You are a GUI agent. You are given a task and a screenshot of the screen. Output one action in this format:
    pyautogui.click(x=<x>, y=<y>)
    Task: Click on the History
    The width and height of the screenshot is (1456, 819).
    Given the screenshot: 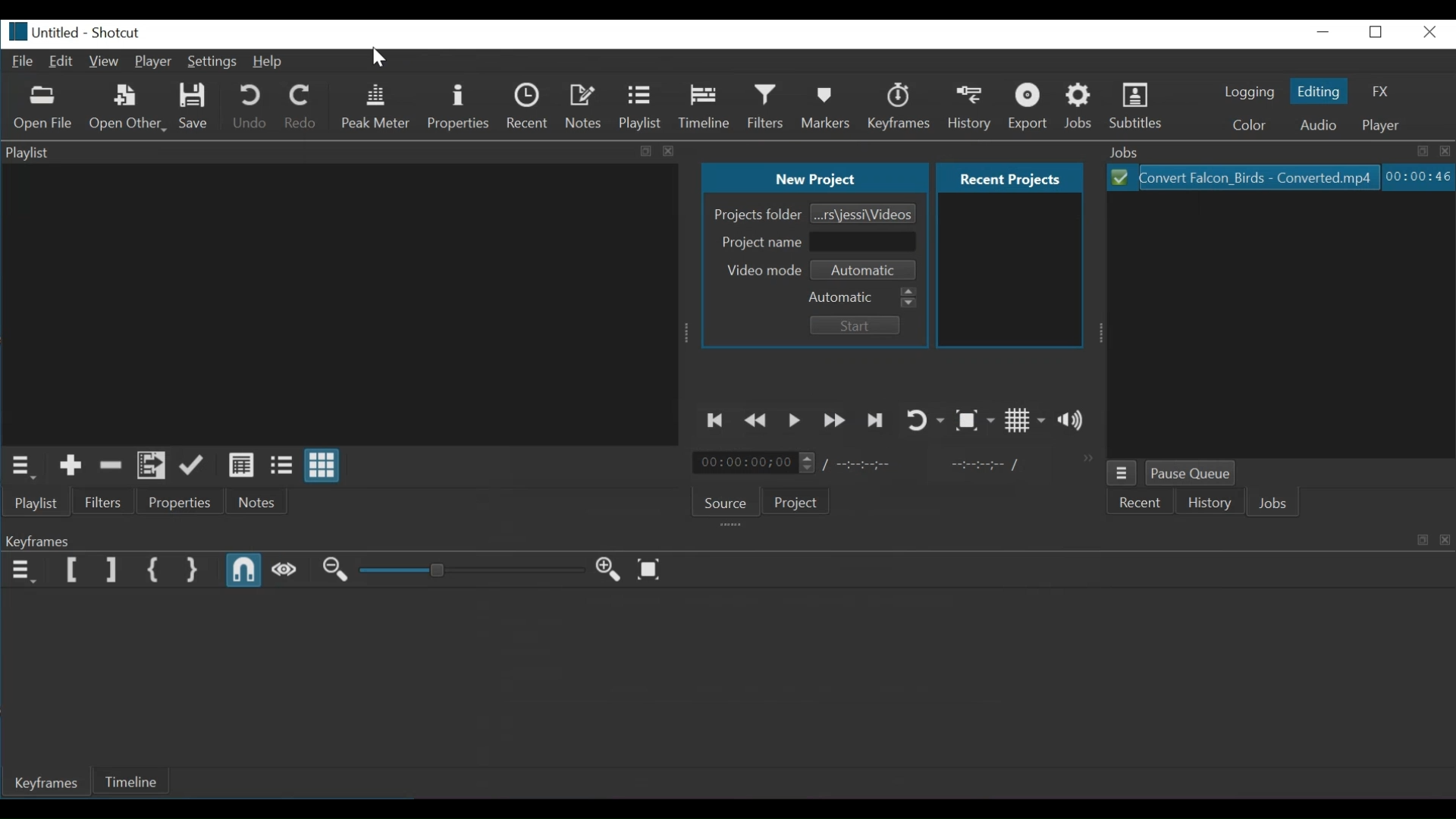 What is the action you would take?
    pyautogui.click(x=971, y=107)
    